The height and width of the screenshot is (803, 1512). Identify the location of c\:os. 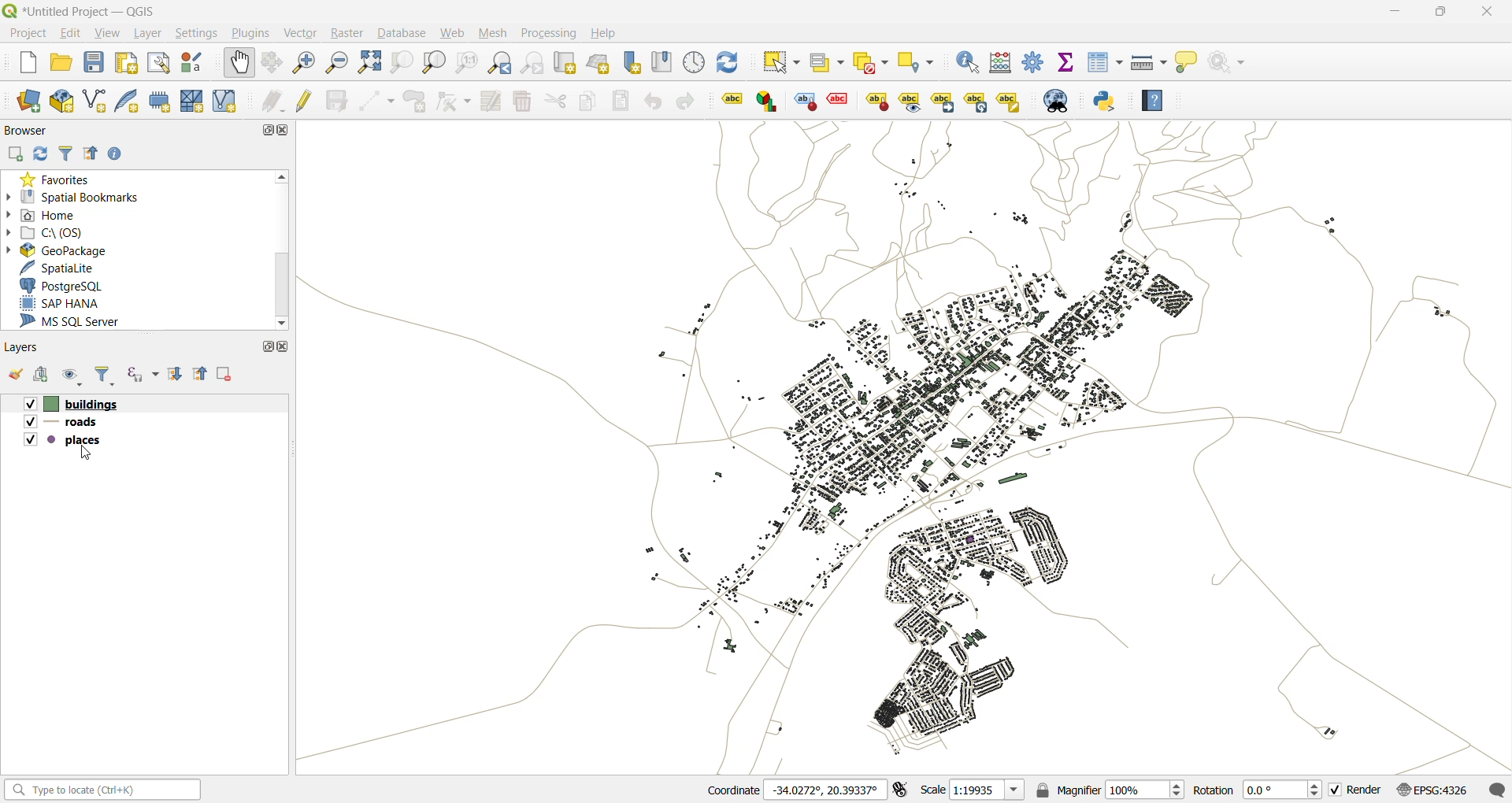
(64, 231).